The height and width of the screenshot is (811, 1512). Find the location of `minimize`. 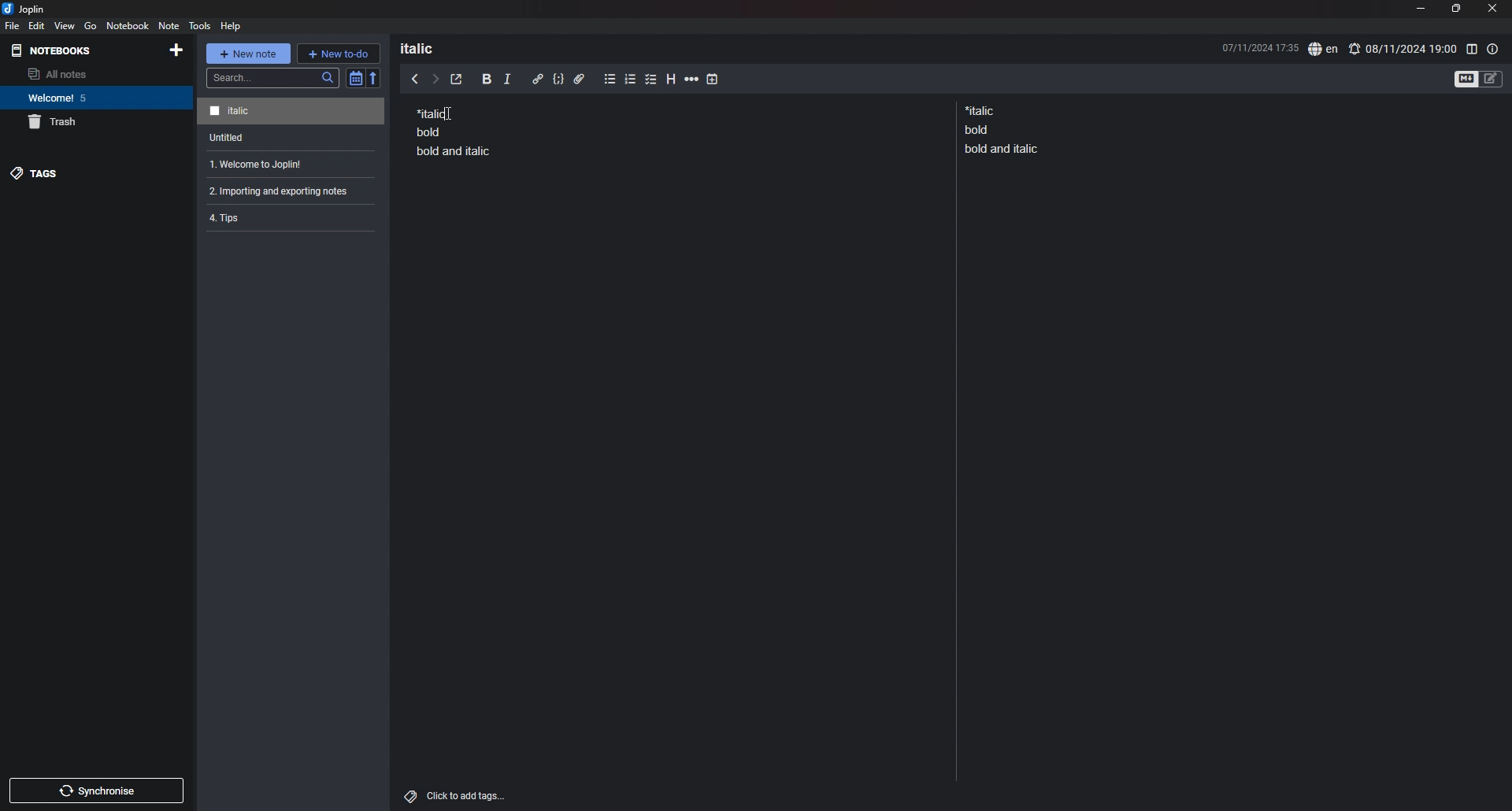

minimize is located at coordinates (1420, 8).